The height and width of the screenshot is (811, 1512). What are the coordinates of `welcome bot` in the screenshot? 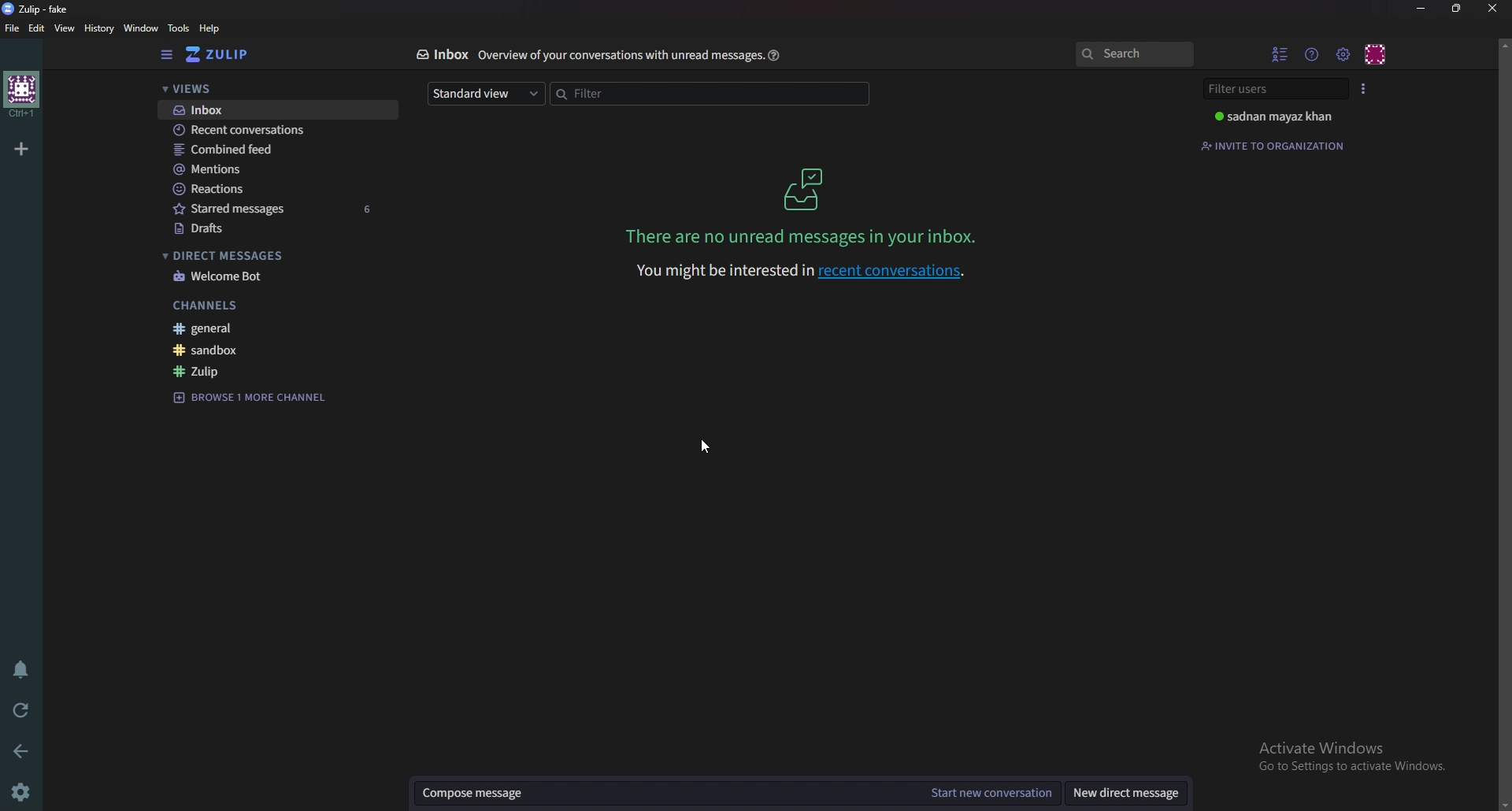 It's located at (277, 277).